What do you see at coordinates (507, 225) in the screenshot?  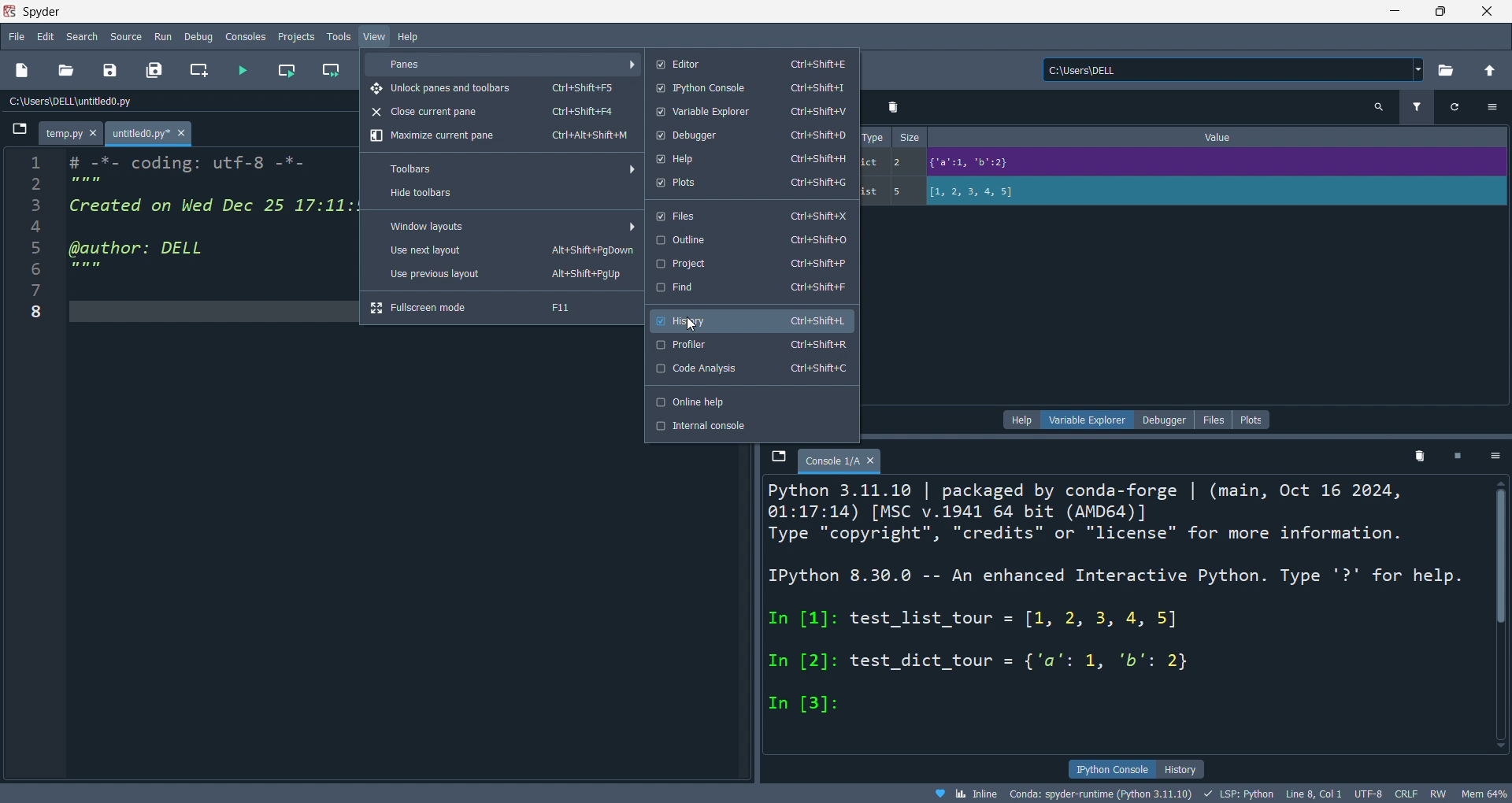 I see `windows layout` at bounding box center [507, 225].